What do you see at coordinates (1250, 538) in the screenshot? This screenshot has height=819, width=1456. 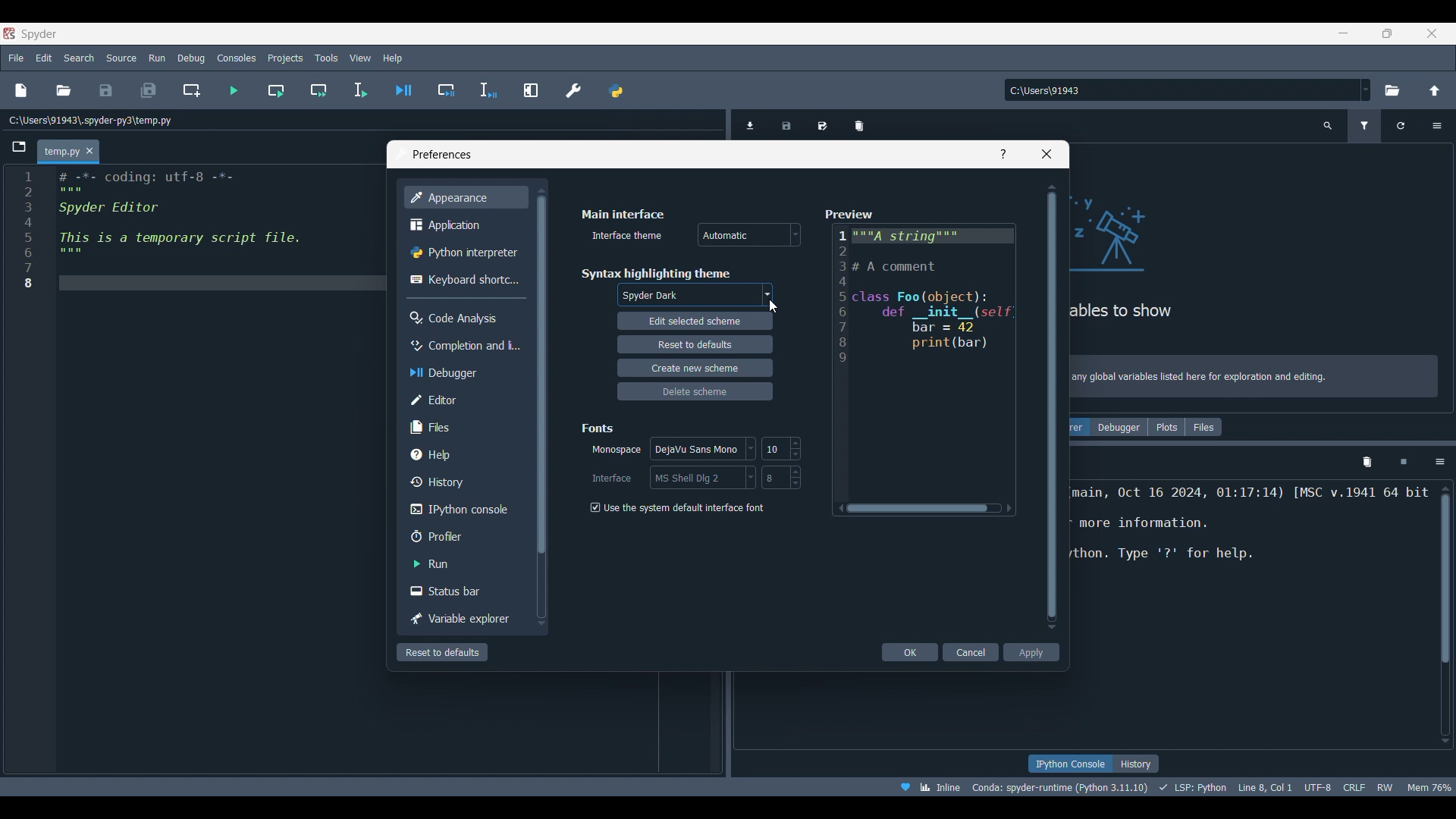 I see `ipython console pane` at bounding box center [1250, 538].